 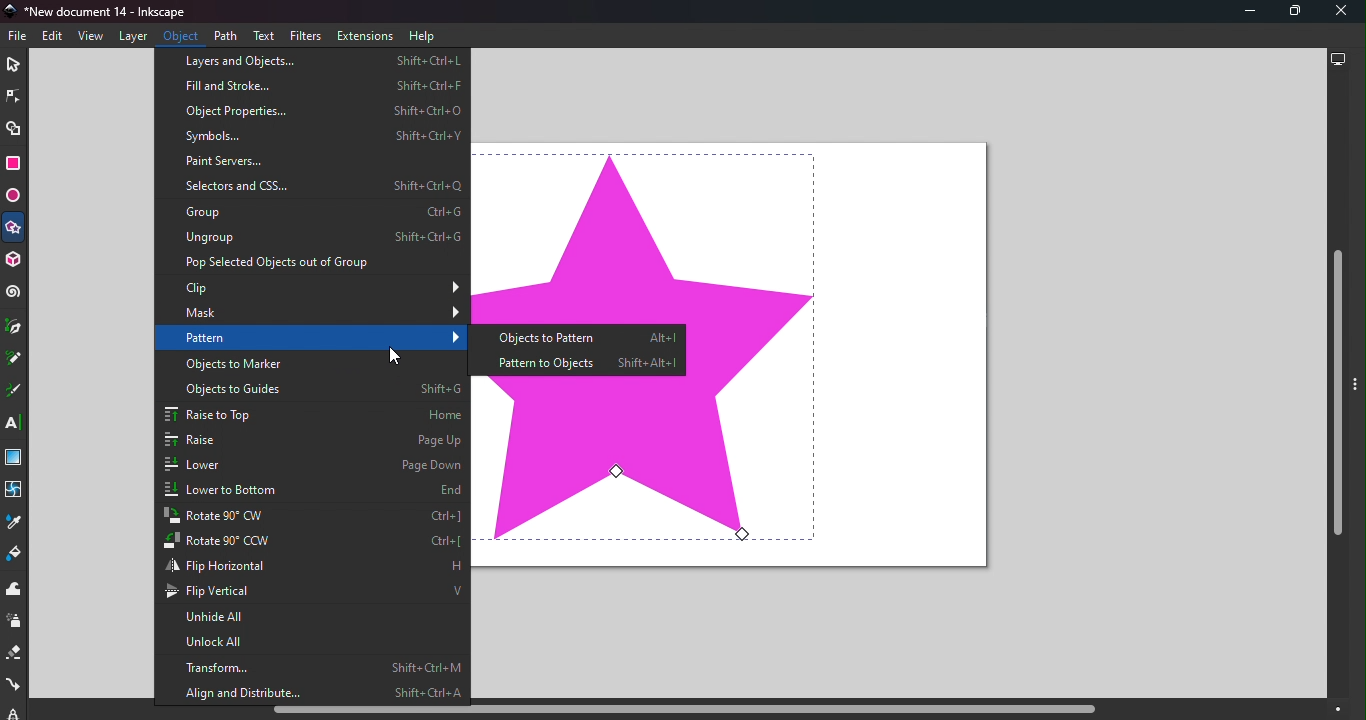 What do you see at coordinates (16, 556) in the screenshot?
I see `Paint bucket tool` at bounding box center [16, 556].